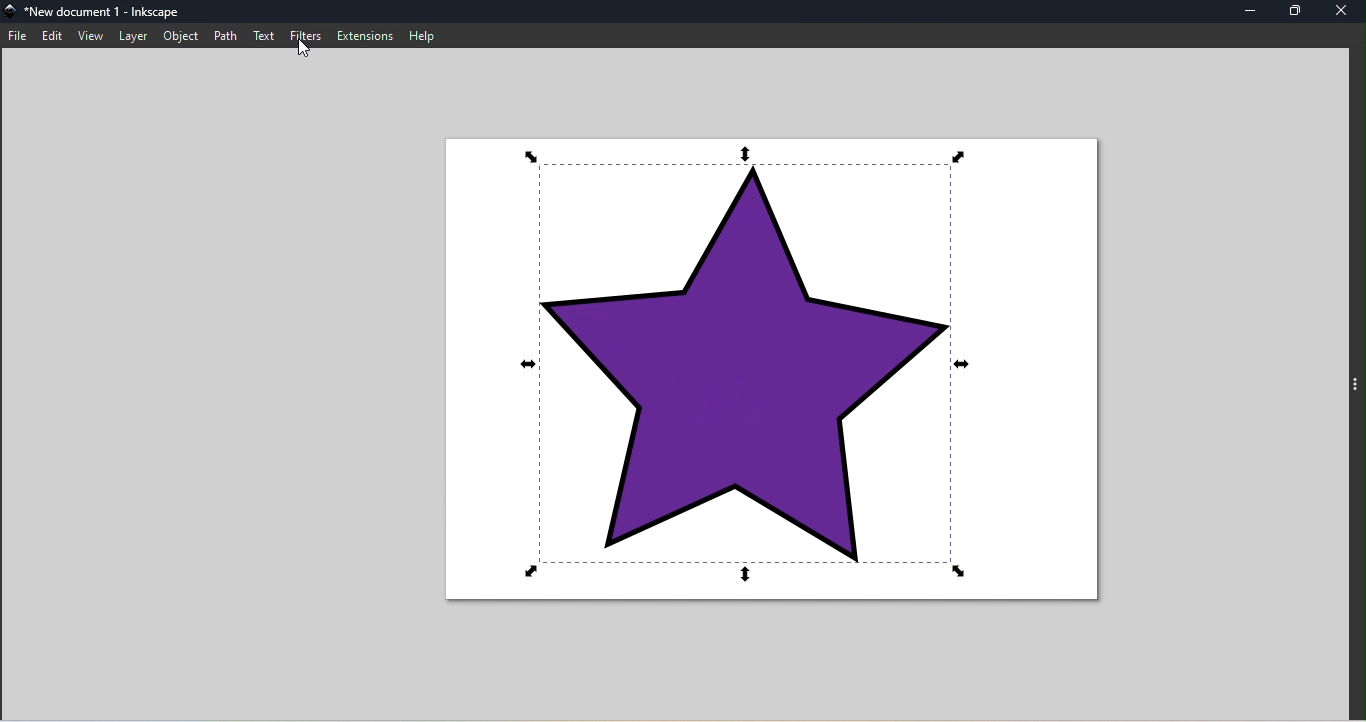  What do you see at coordinates (1340, 10) in the screenshot?
I see `close` at bounding box center [1340, 10].